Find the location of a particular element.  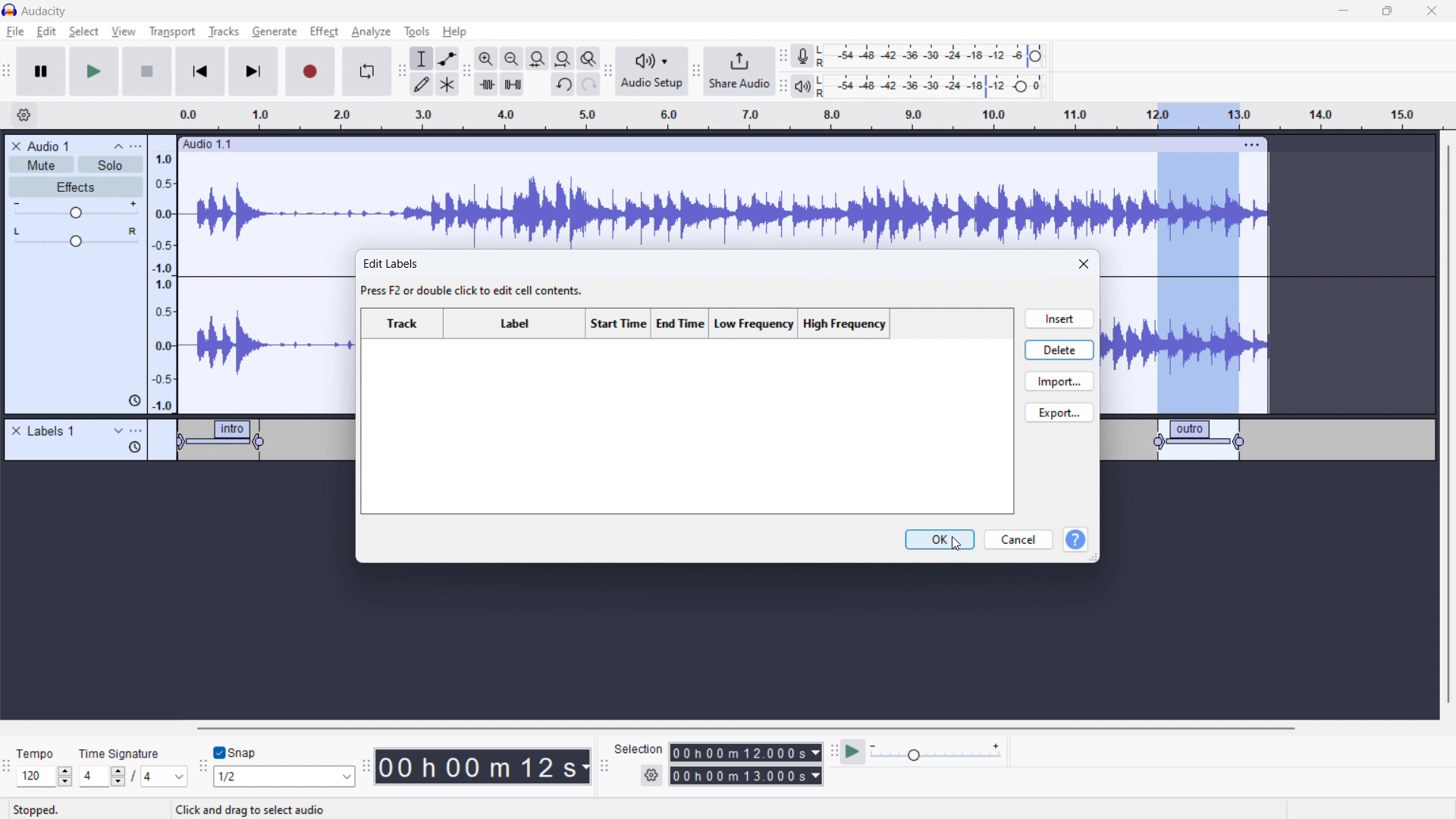

file is located at coordinates (16, 32).